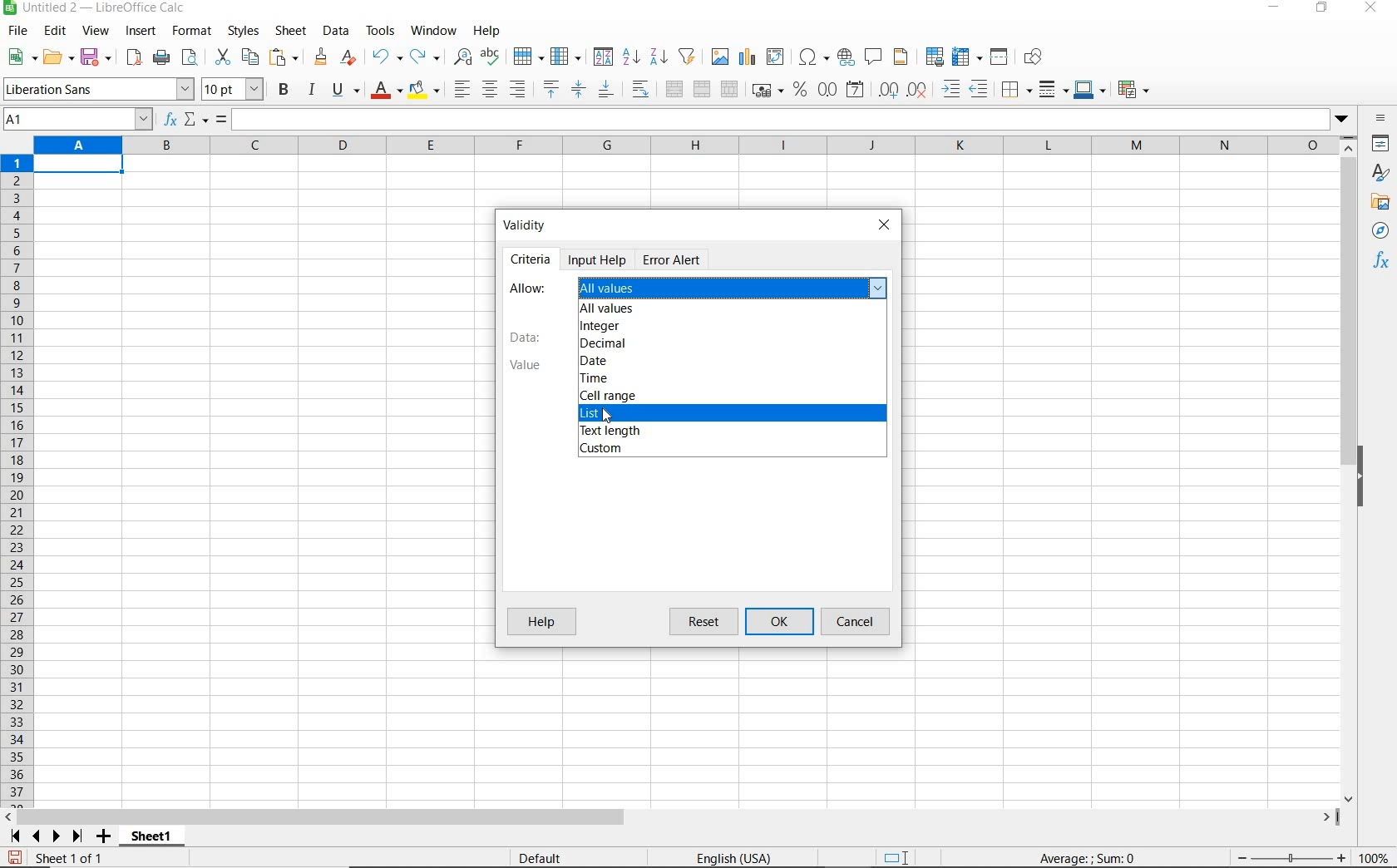  Describe the element at coordinates (97, 57) in the screenshot. I see `save` at that location.